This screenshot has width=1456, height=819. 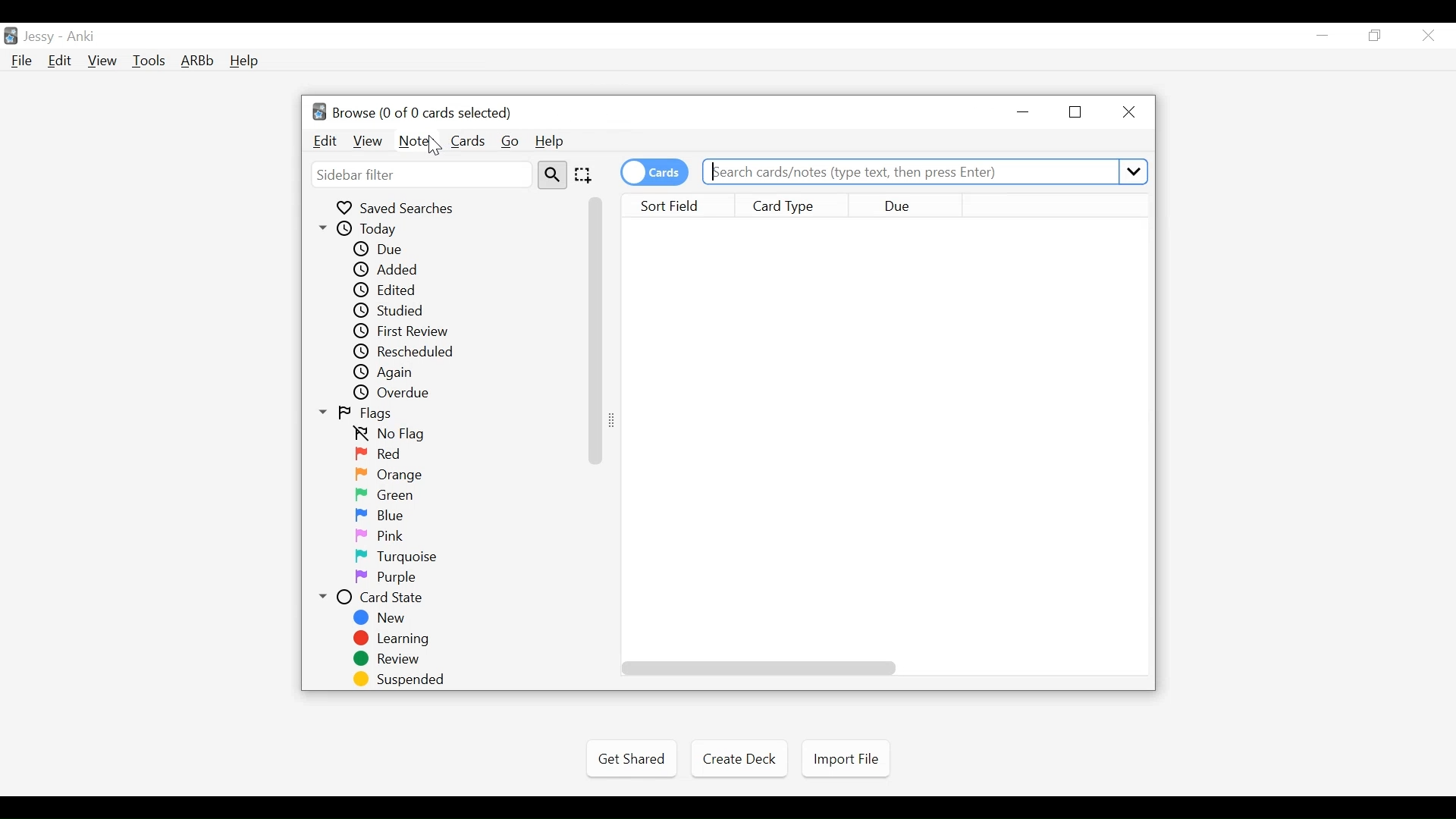 What do you see at coordinates (388, 290) in the screenshot?
I see `Edited` at bounding box center [388, 290].